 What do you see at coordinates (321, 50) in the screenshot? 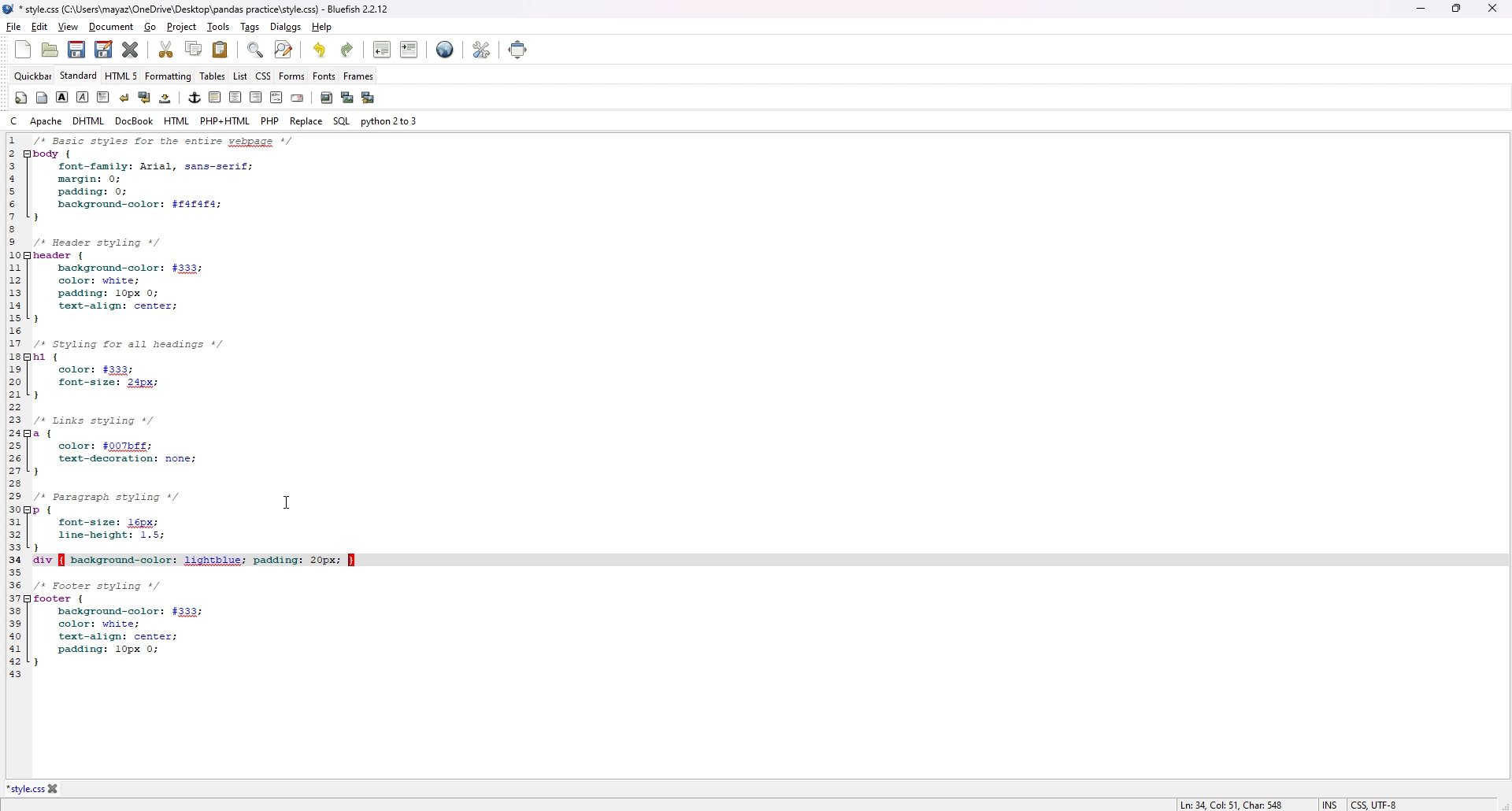
I see `undo` at bounding box center [321, 50].